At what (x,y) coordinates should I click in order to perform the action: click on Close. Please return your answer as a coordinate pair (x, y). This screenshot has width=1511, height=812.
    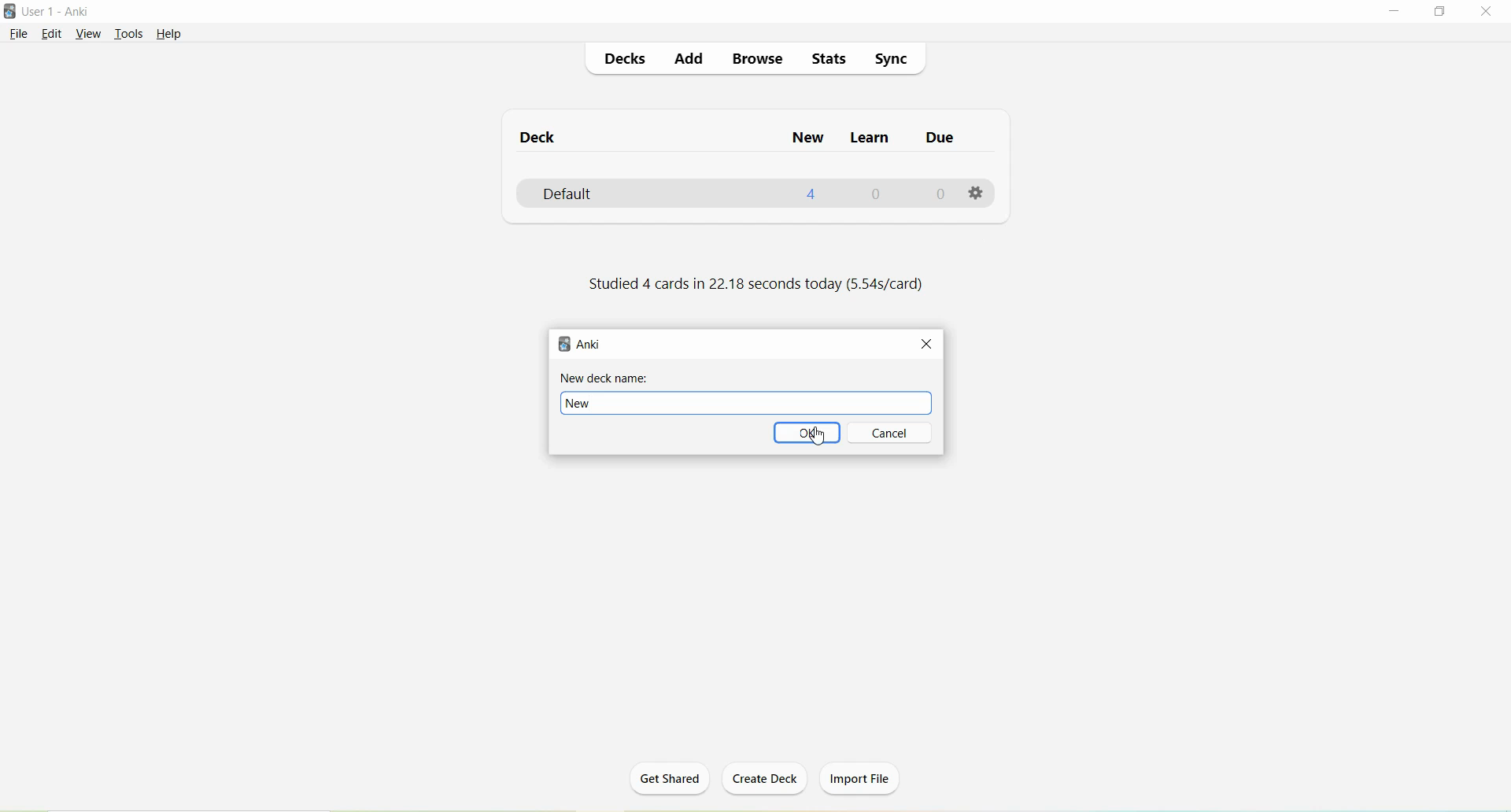
    Looking at the image, I should click on (926, 342).